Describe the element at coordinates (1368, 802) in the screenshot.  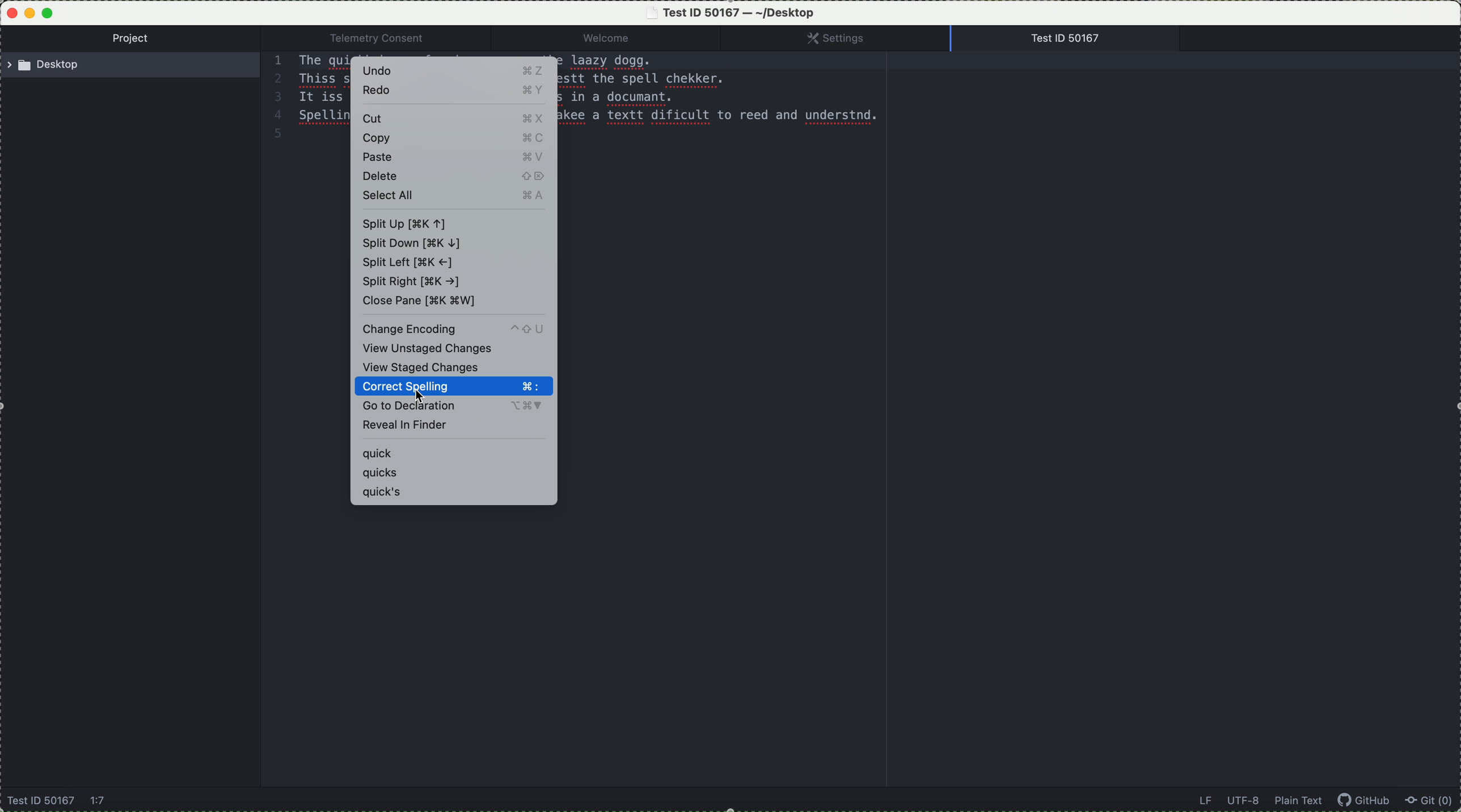
I see `GitHub` at that location.